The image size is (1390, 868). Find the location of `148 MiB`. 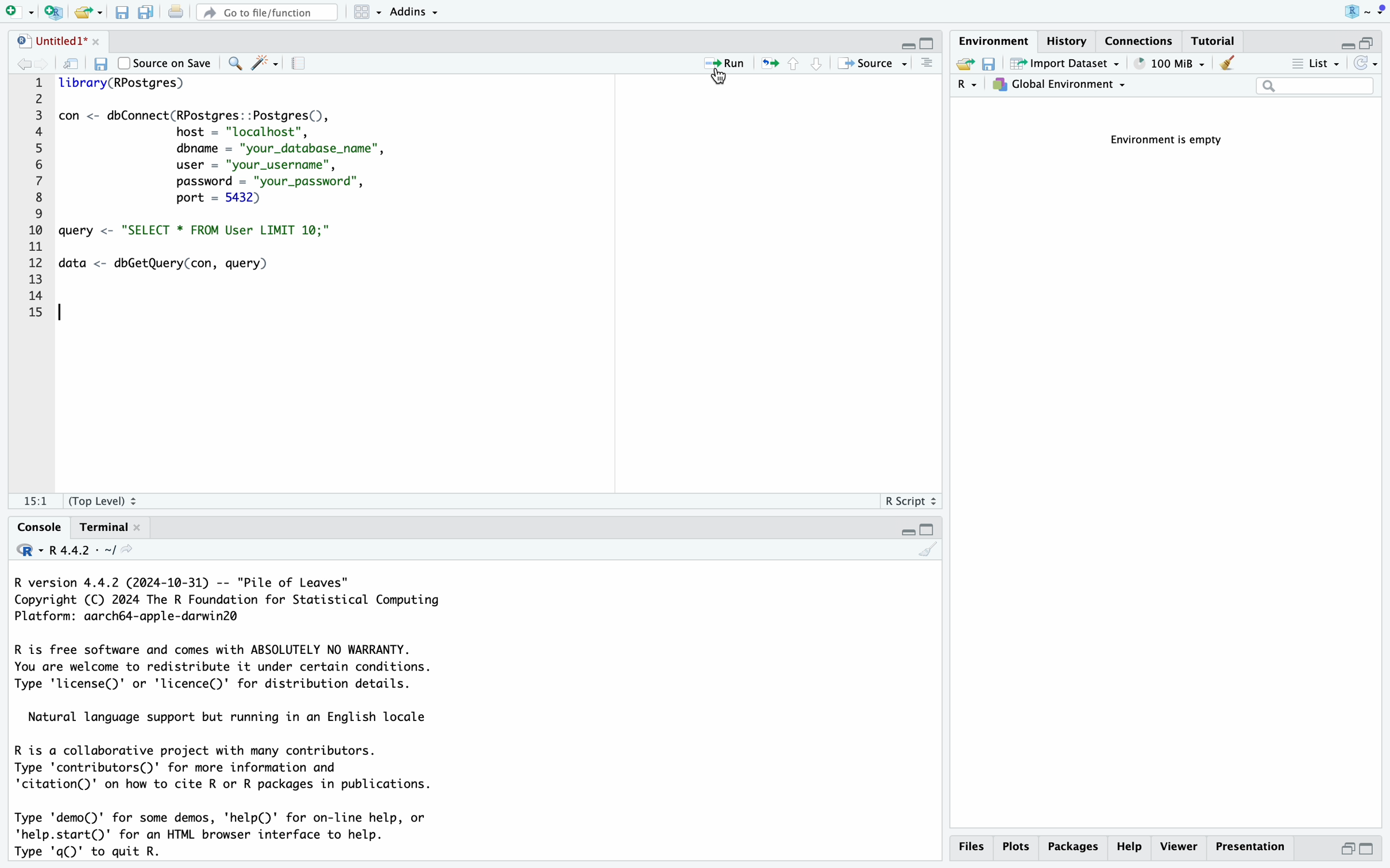

148 MiB is located at coordinates (1169, 64).